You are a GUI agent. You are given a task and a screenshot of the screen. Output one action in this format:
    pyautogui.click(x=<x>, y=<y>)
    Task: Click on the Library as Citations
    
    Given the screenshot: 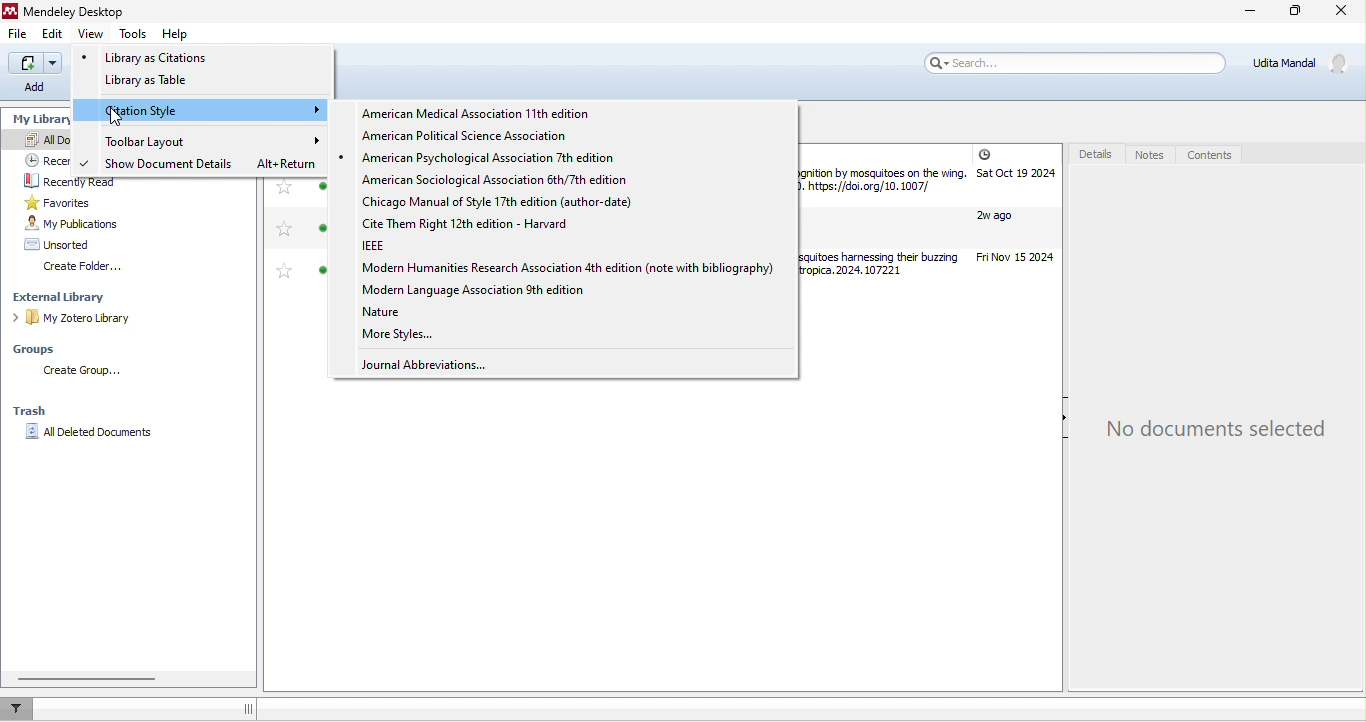 What is the action you would take?
    pyautogui.click(x=164, y=57)
    